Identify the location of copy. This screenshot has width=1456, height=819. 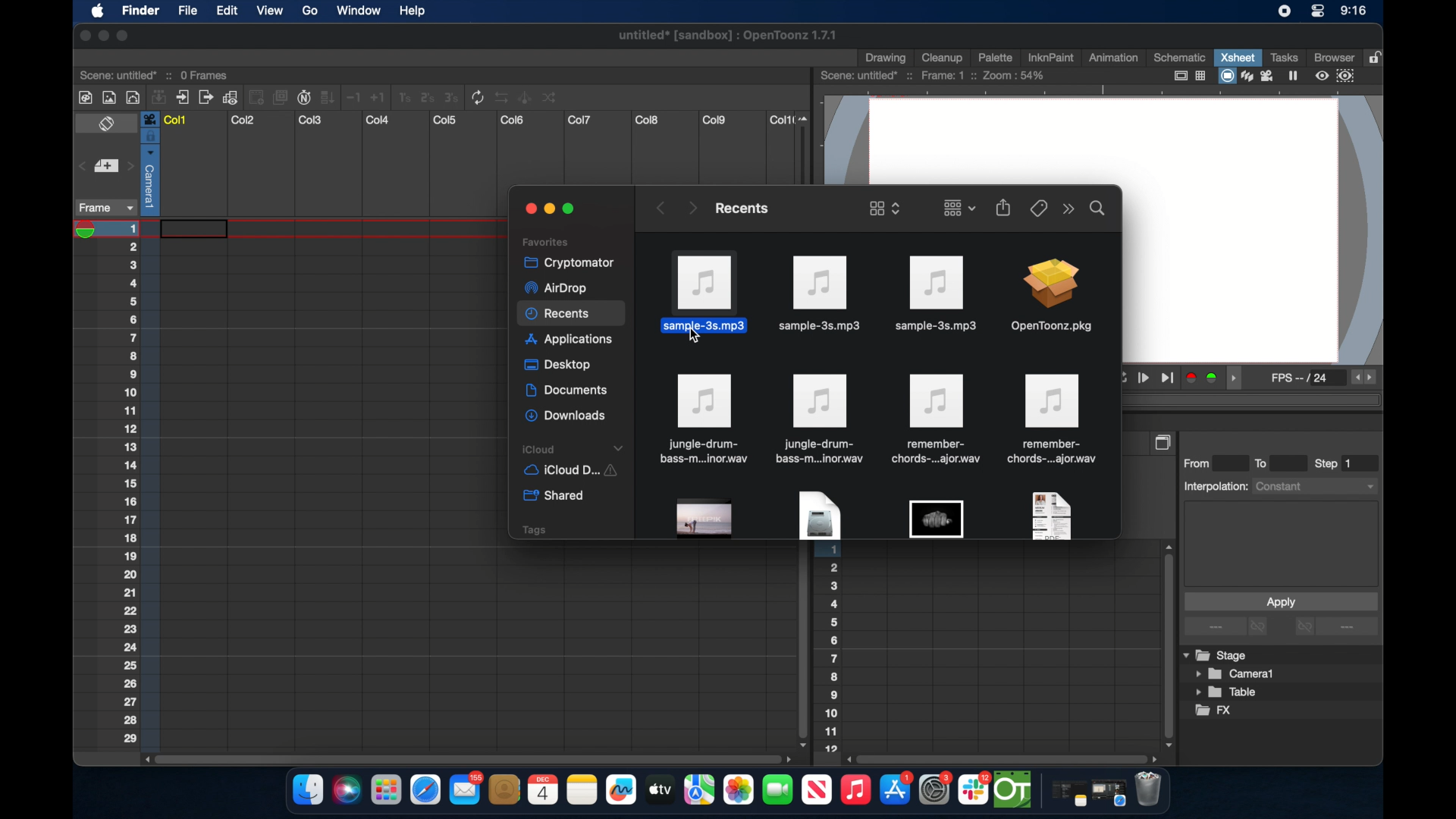
(1165, 442).